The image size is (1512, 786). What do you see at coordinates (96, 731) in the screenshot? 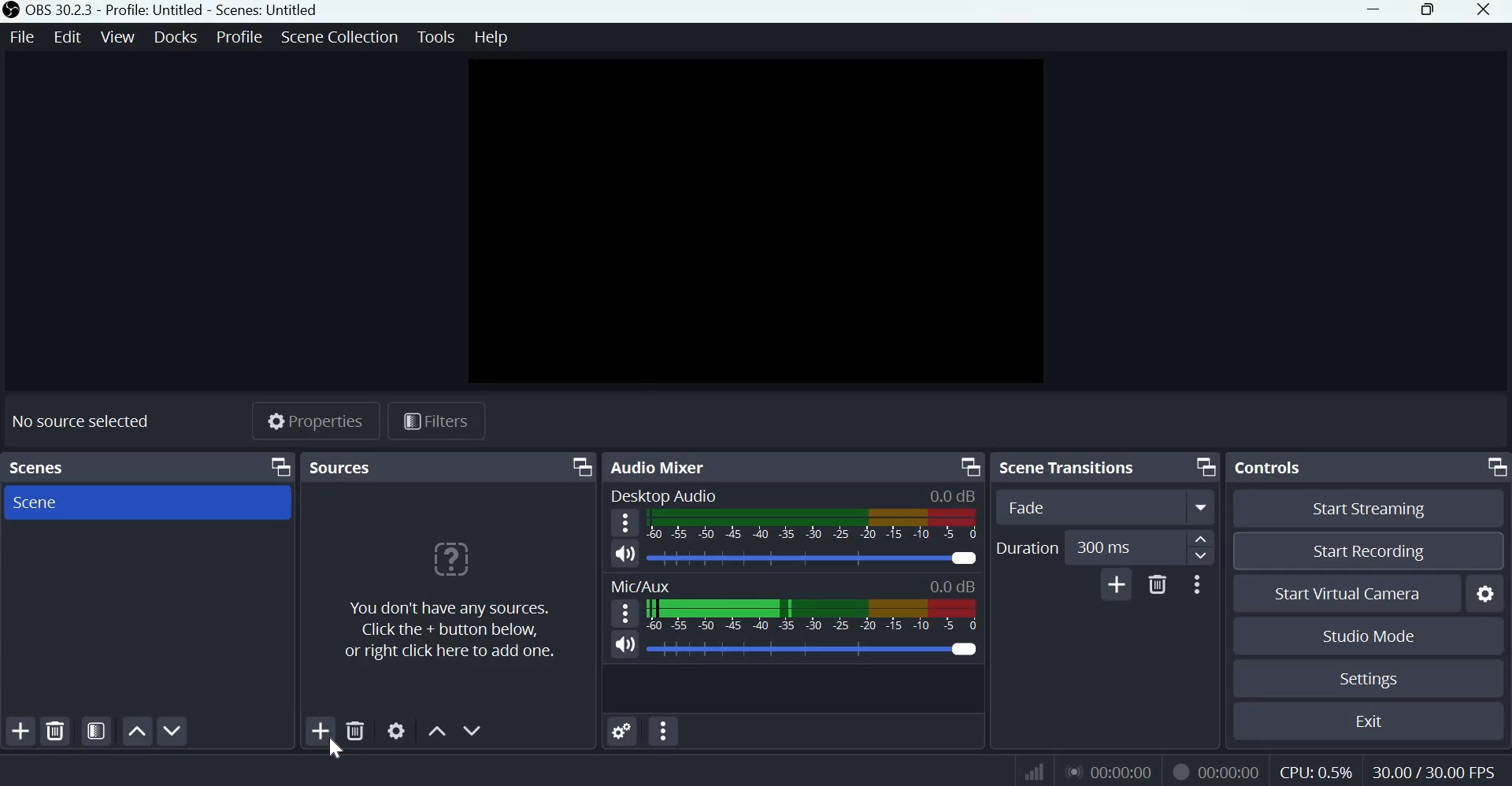
I see `Open scene filters` at bounding box center [96, 731].